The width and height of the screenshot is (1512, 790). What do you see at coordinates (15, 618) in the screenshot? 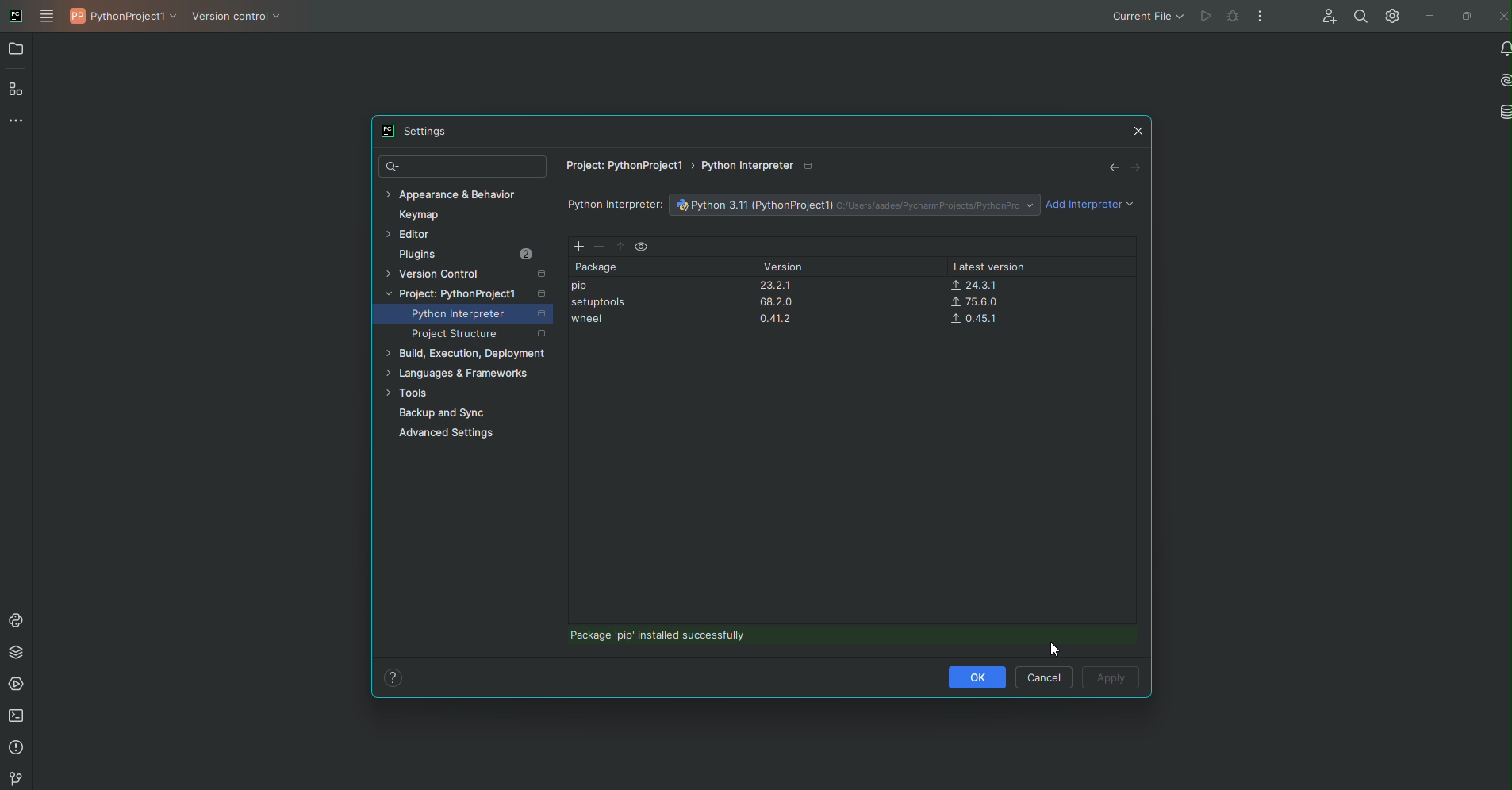
I see `Console` at bounding box center [15, 618].